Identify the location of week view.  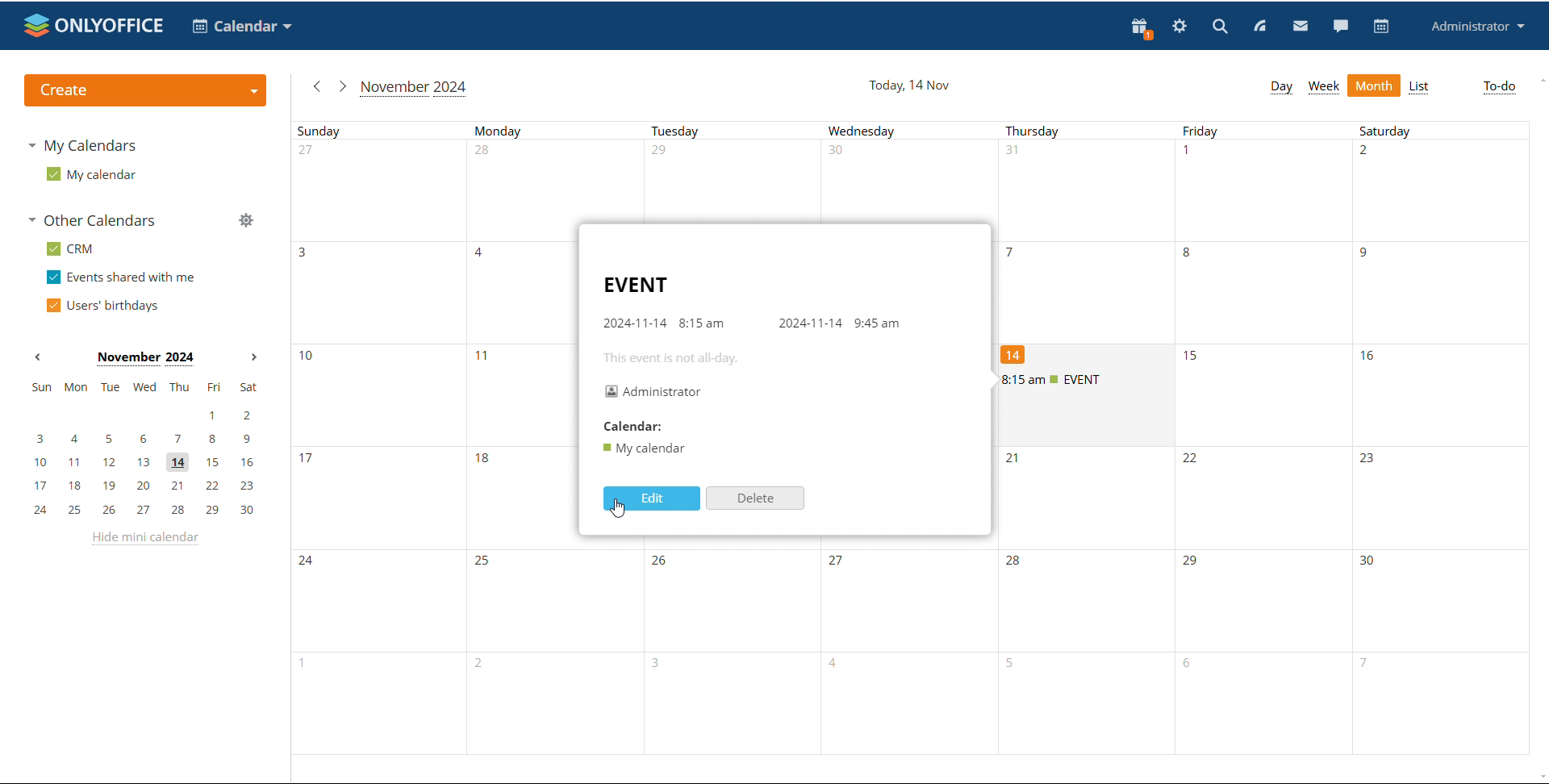
(1324, 87).